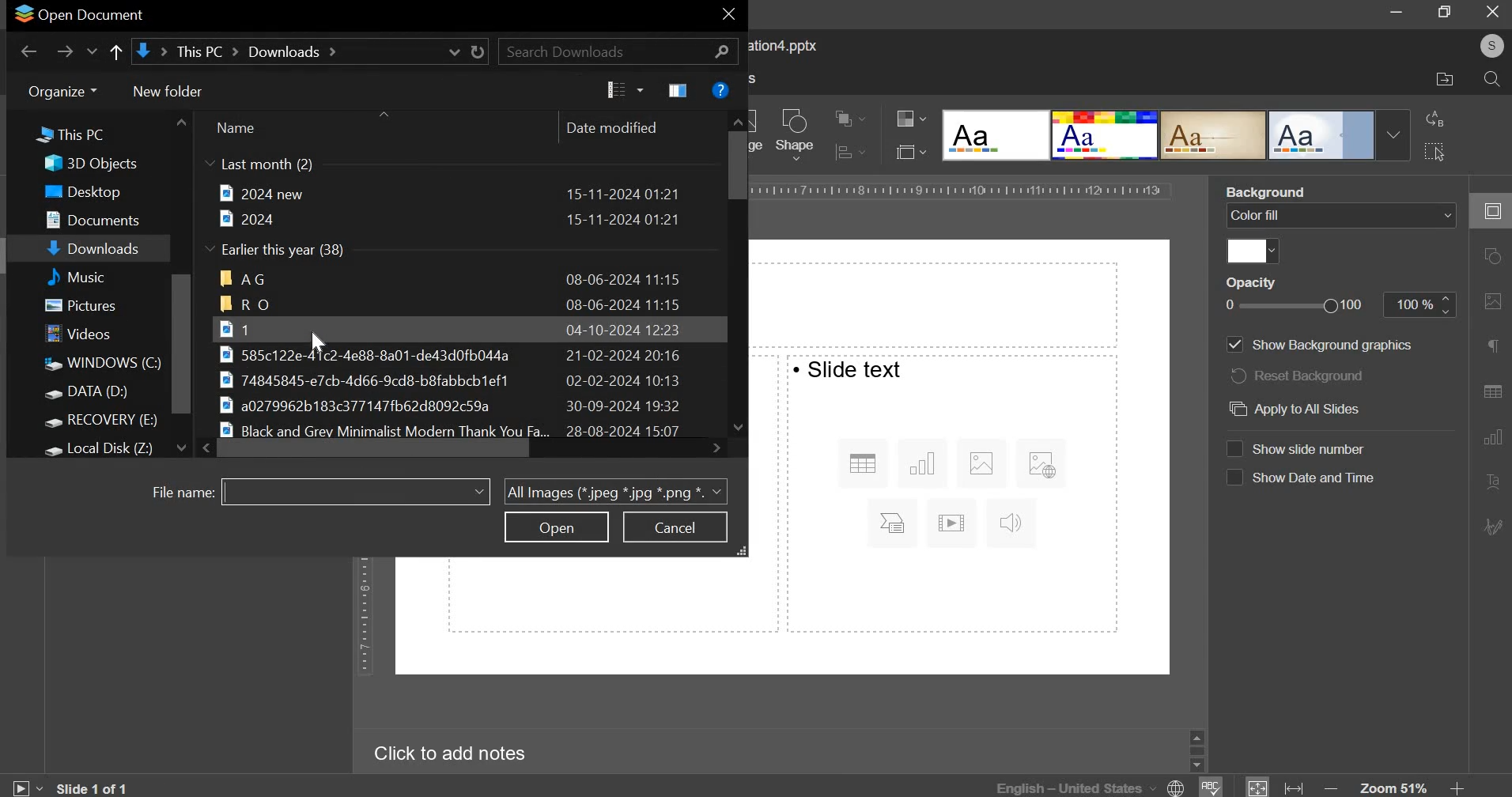 The width and height of the screenshot is (1512, 797). What do you see at coordinates (1435, 119) in the screenshot?
I see `replace` at bounding box center [1435, 119].